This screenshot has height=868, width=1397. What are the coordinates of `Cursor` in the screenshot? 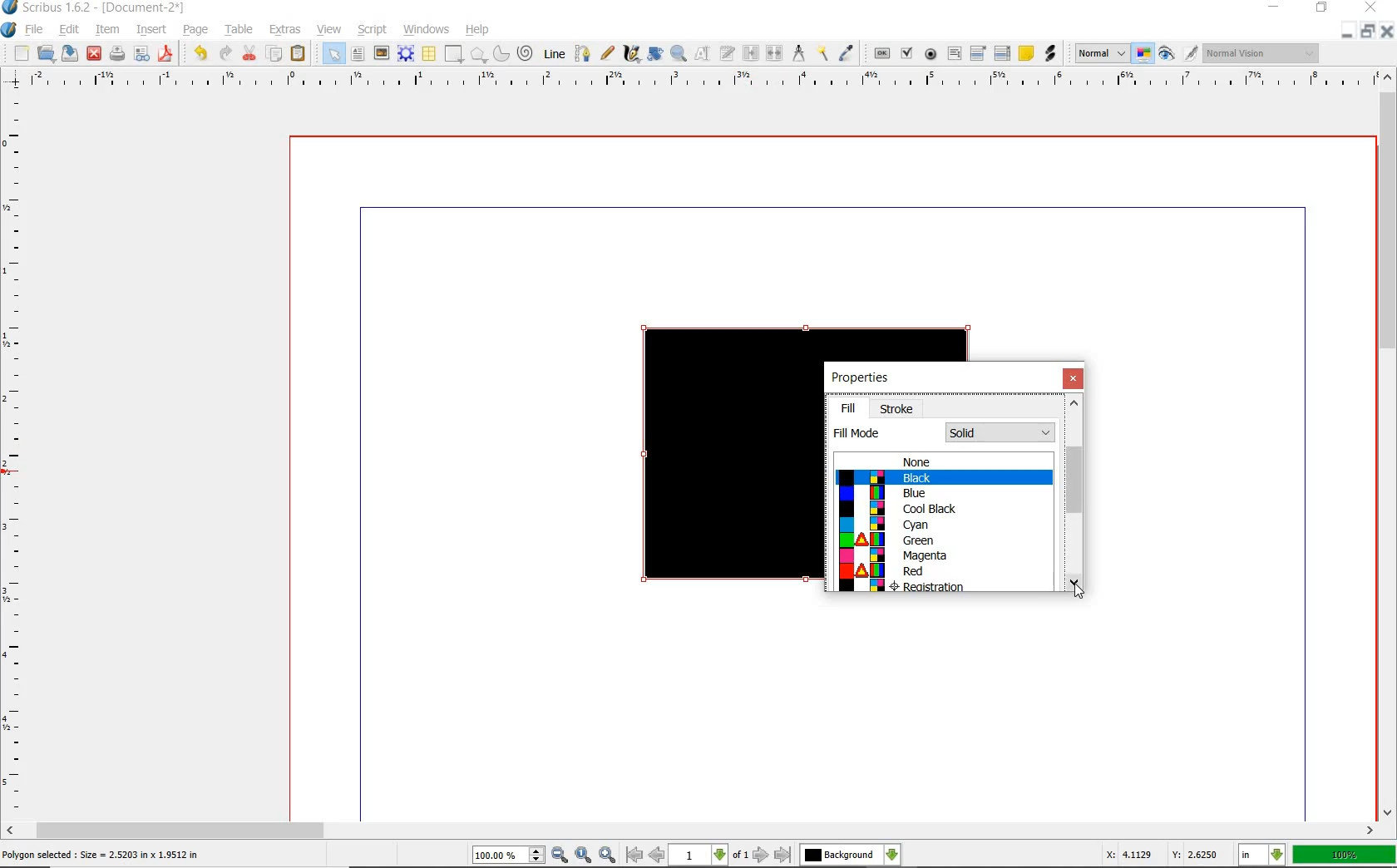 It's located at (1079, 592).